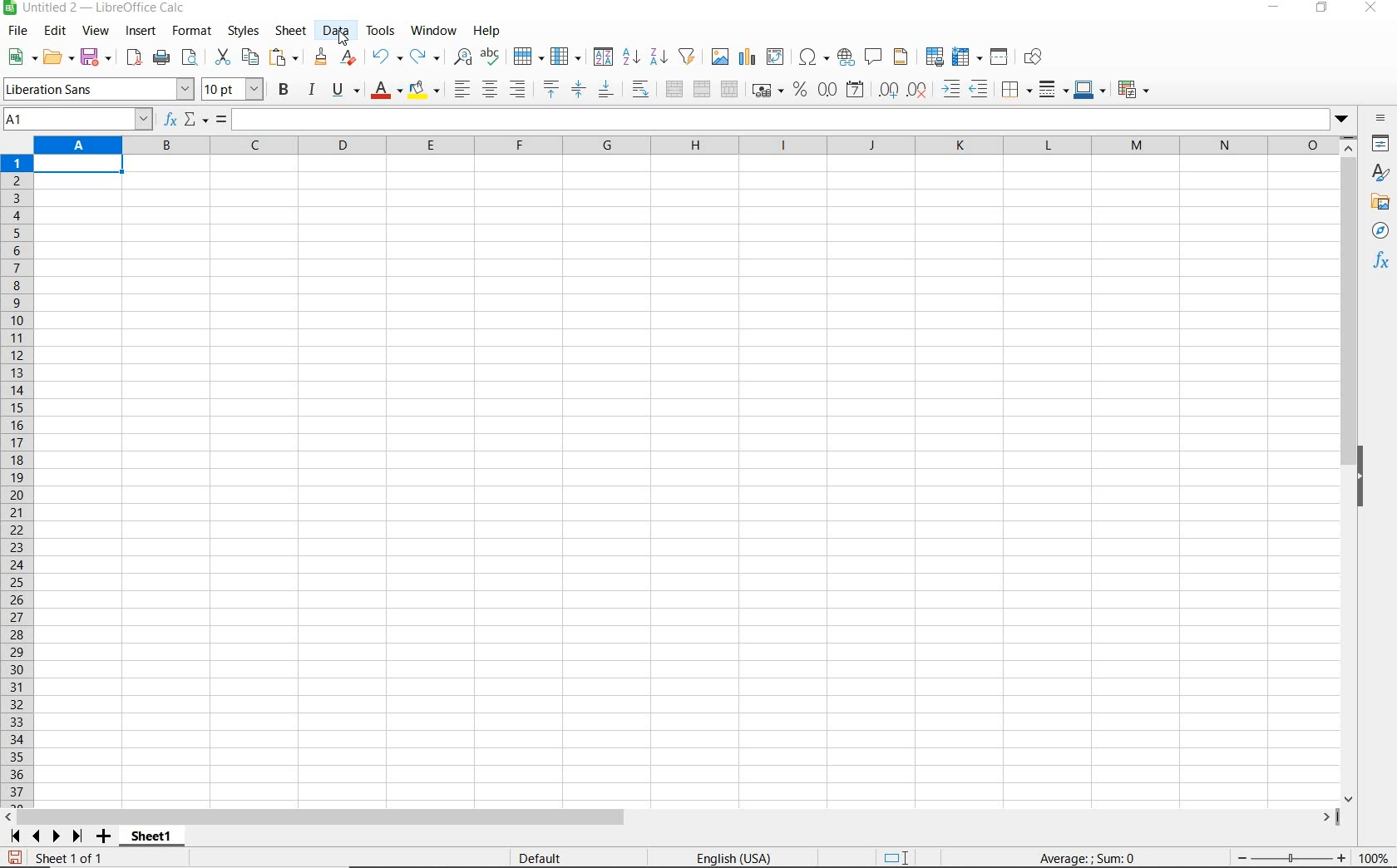 This screenshot has height=868, width=1397. I want to click on align bottom, so click(605, 91).